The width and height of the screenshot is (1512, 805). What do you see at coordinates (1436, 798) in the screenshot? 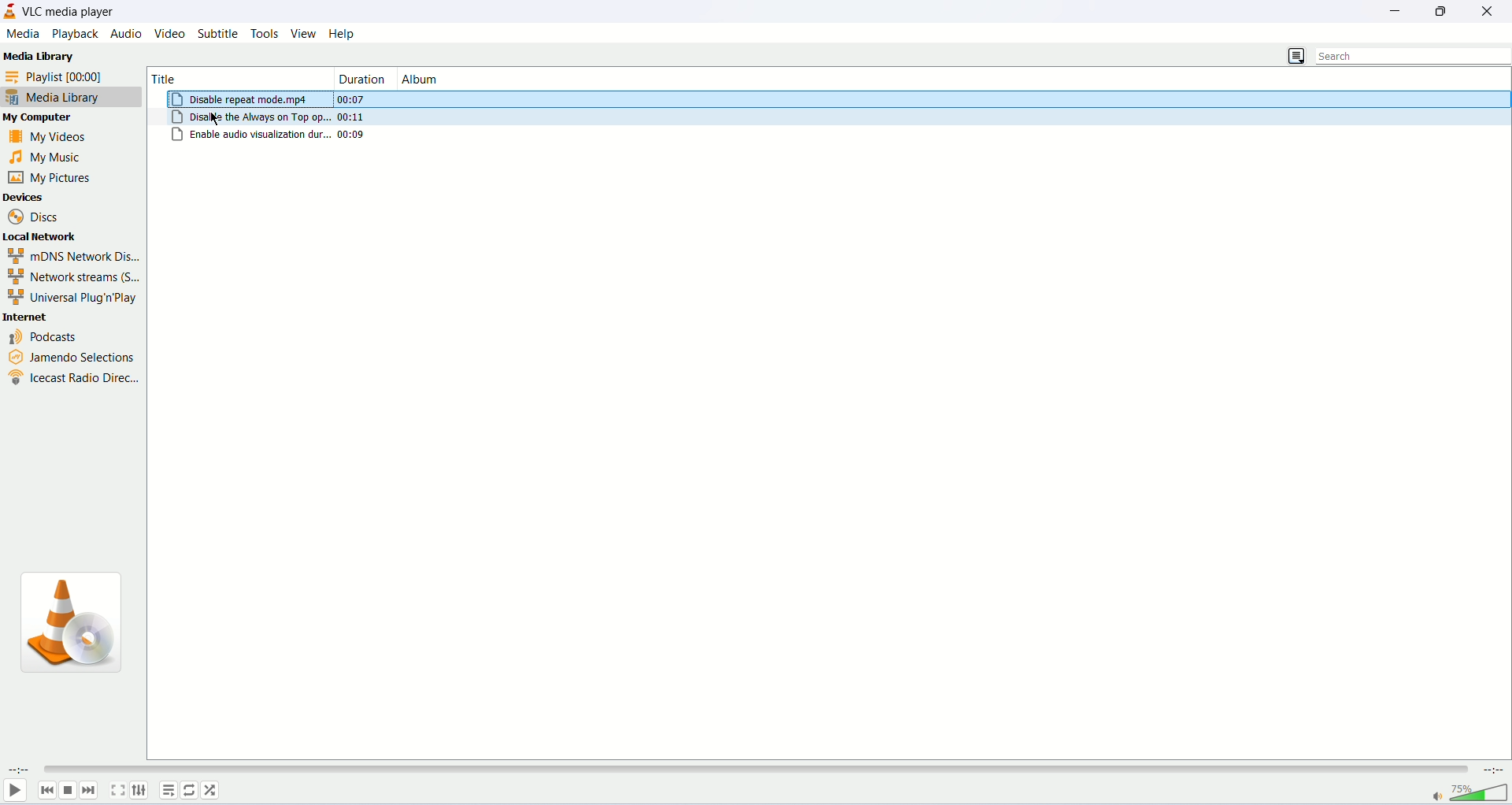
I see `mute` at bounding box center [1436, 798].